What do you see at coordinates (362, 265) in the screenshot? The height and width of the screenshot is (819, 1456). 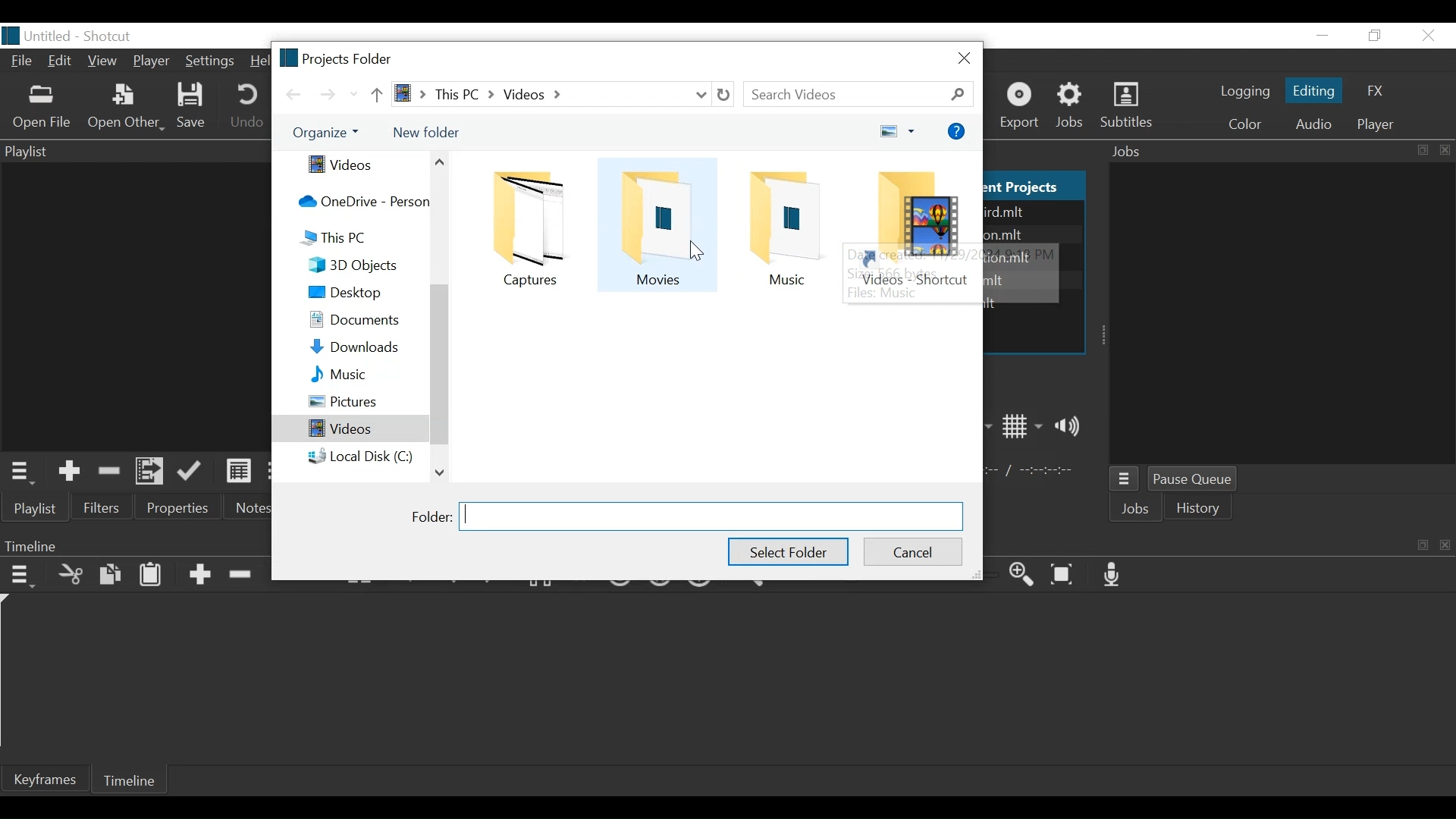 I see `3D Objects` at bounding box center [362, 265].